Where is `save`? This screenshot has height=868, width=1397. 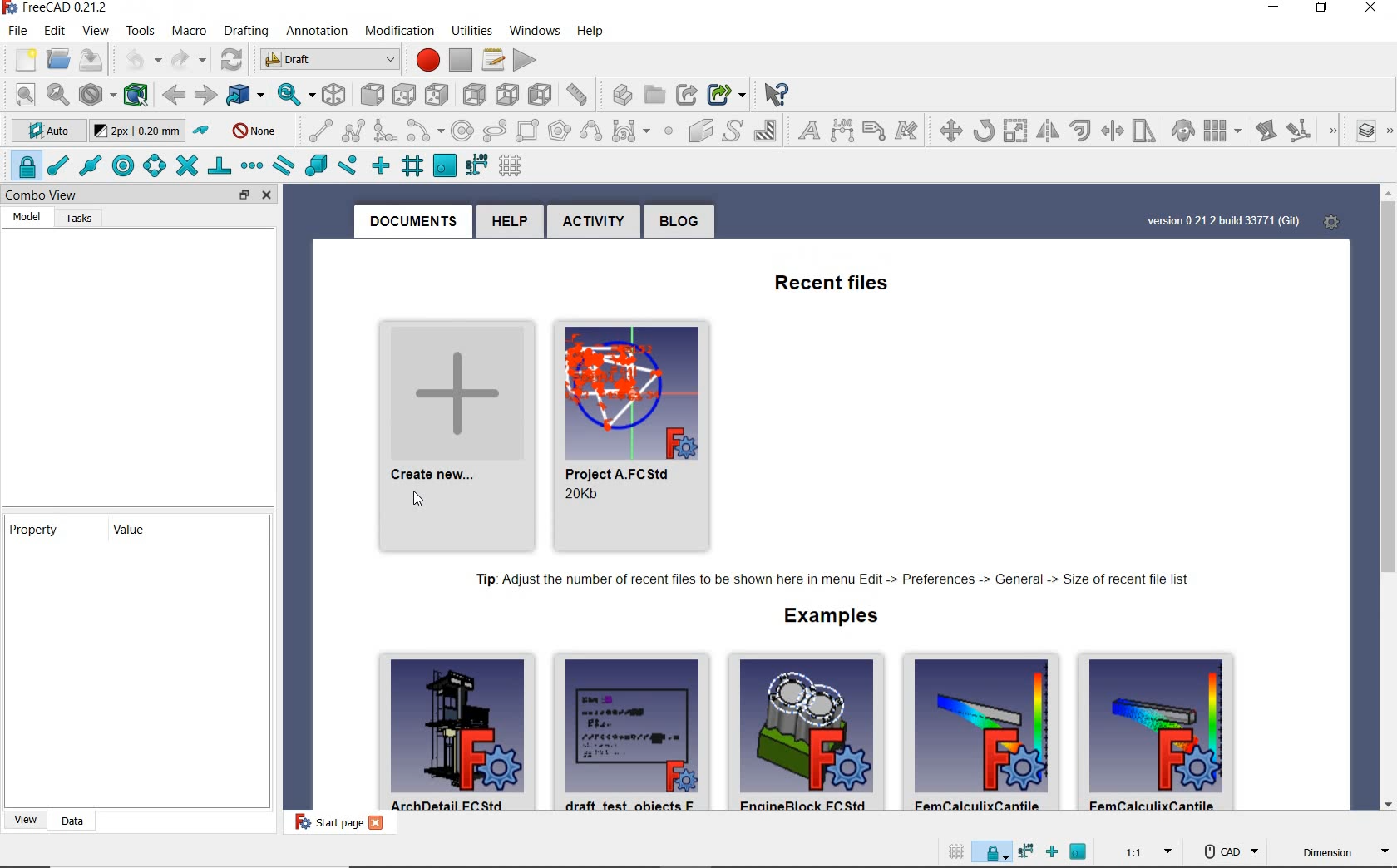
save is located at coordinates (86, 57).